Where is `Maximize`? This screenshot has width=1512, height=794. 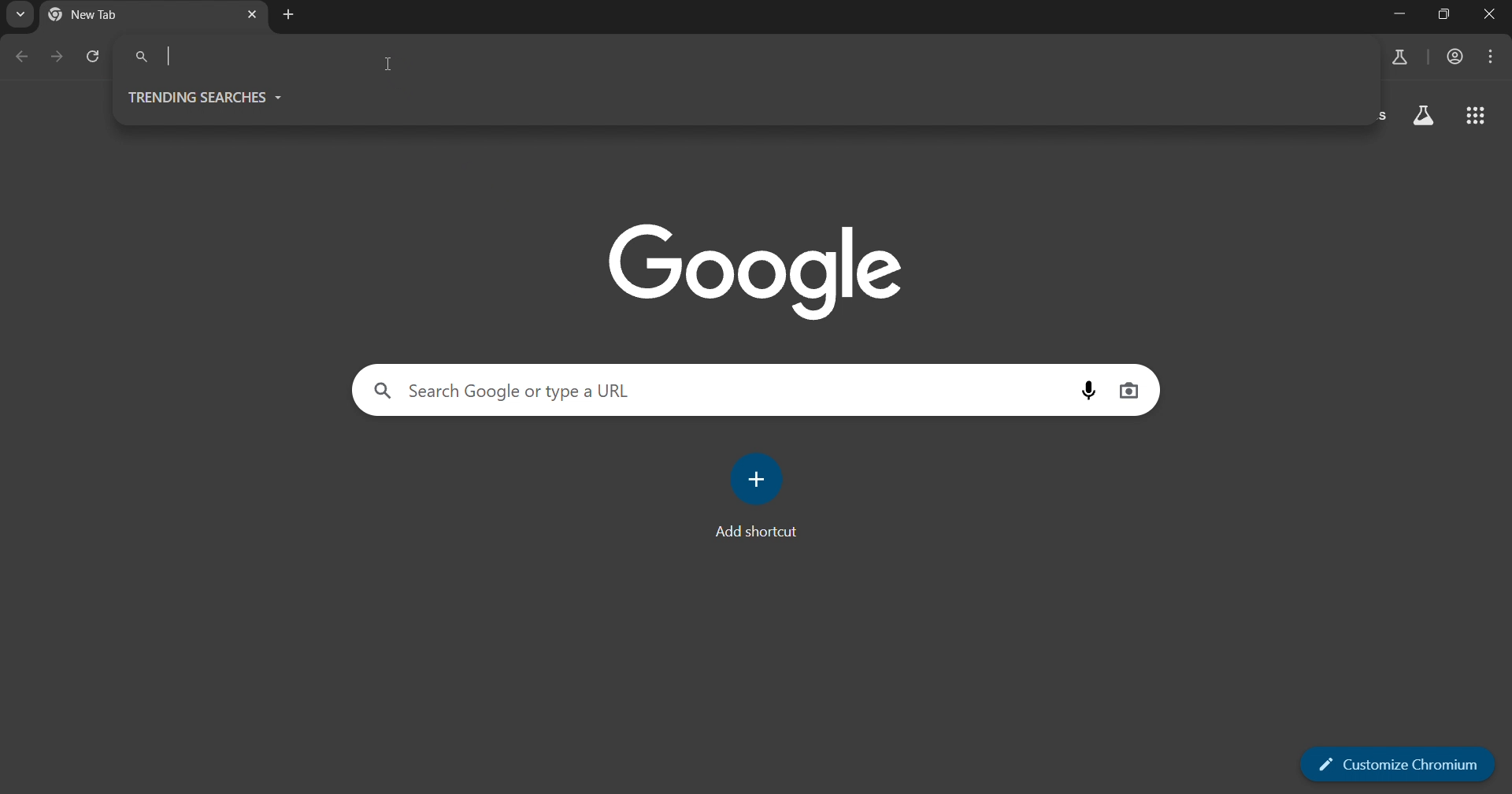
Maximize is located at coordinates (1445, 17).